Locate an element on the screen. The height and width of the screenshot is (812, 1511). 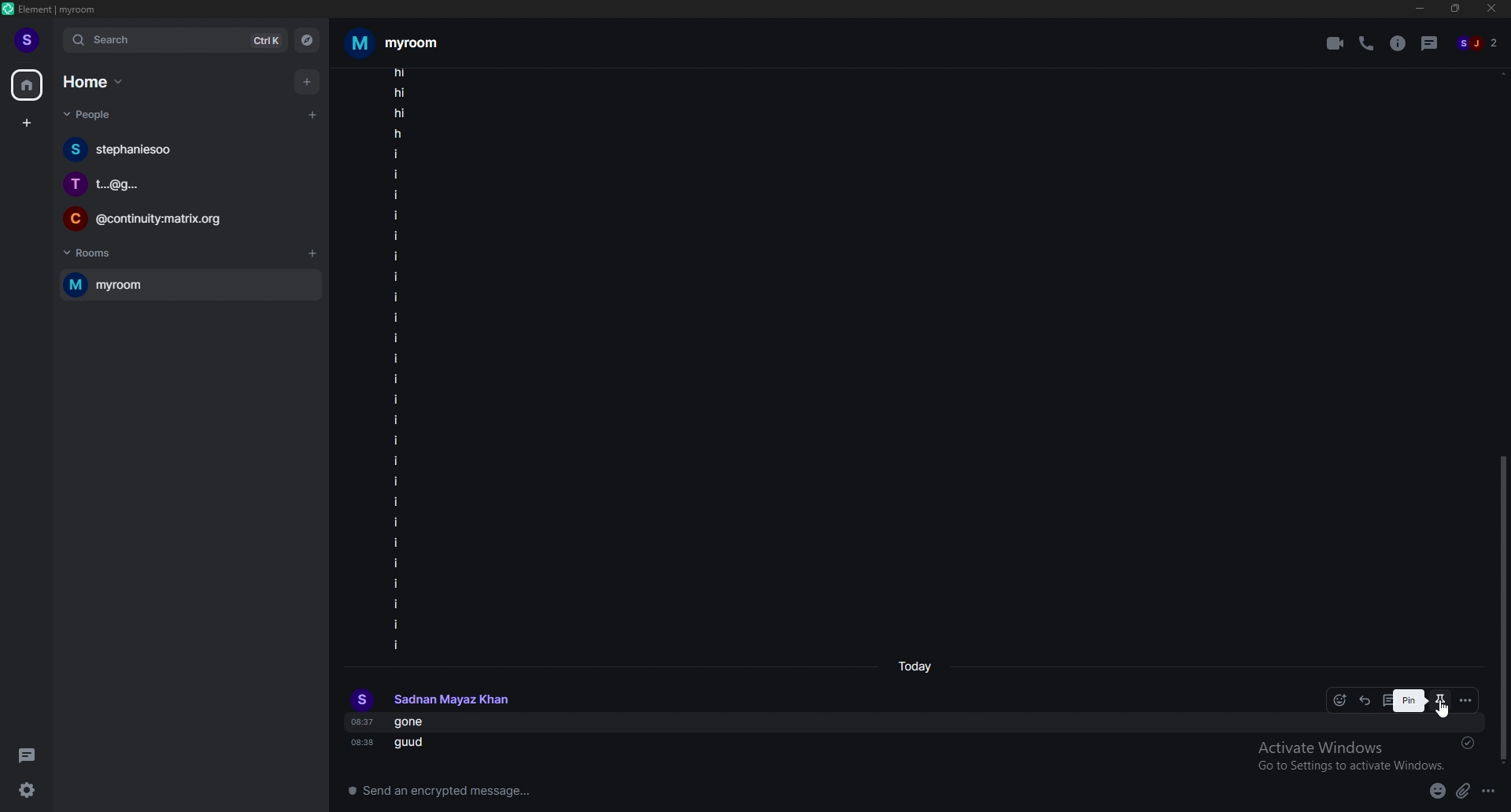
options is located at coordinates (1465, 700).